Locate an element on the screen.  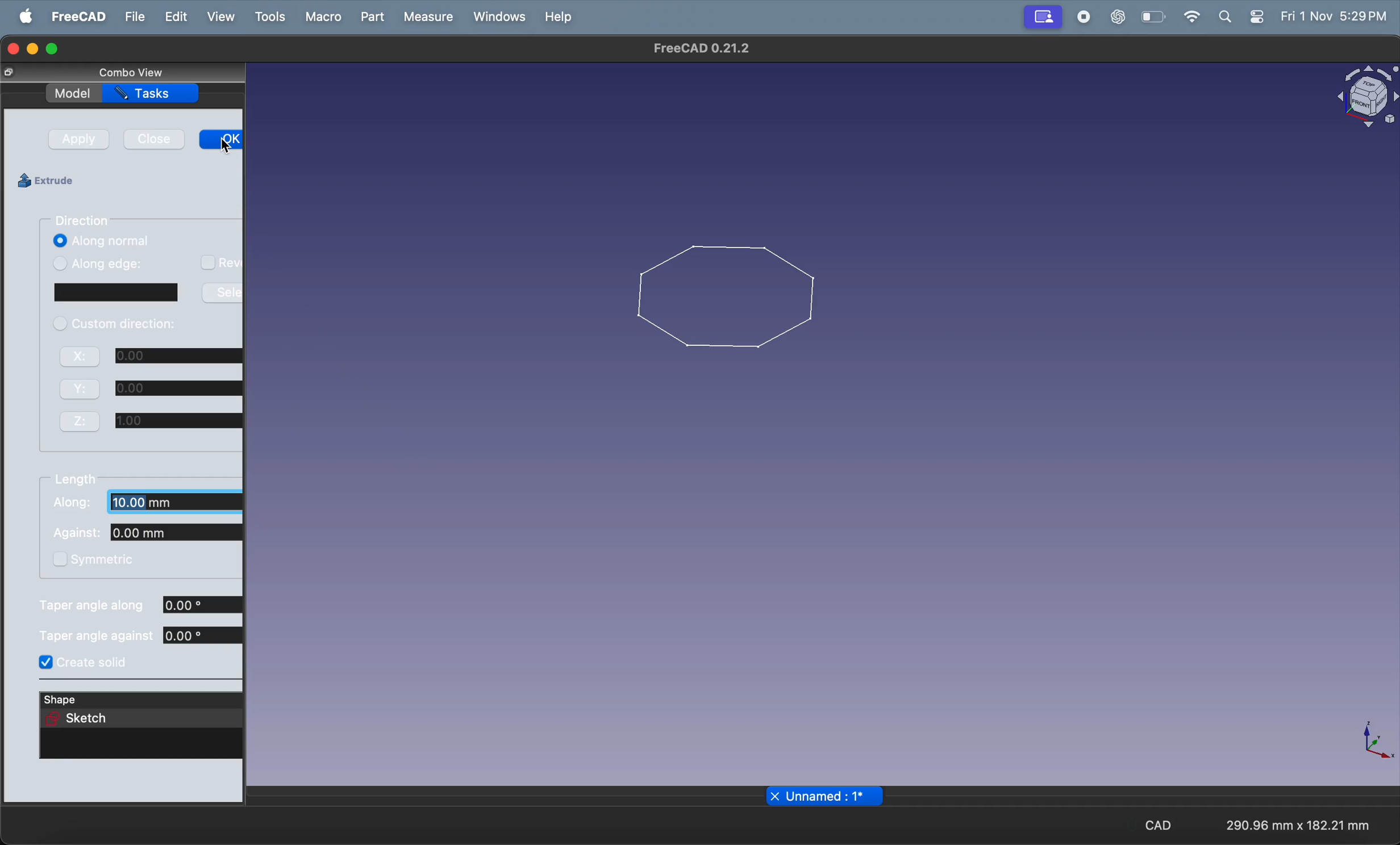
along edge is located at coordinates (145, 266).